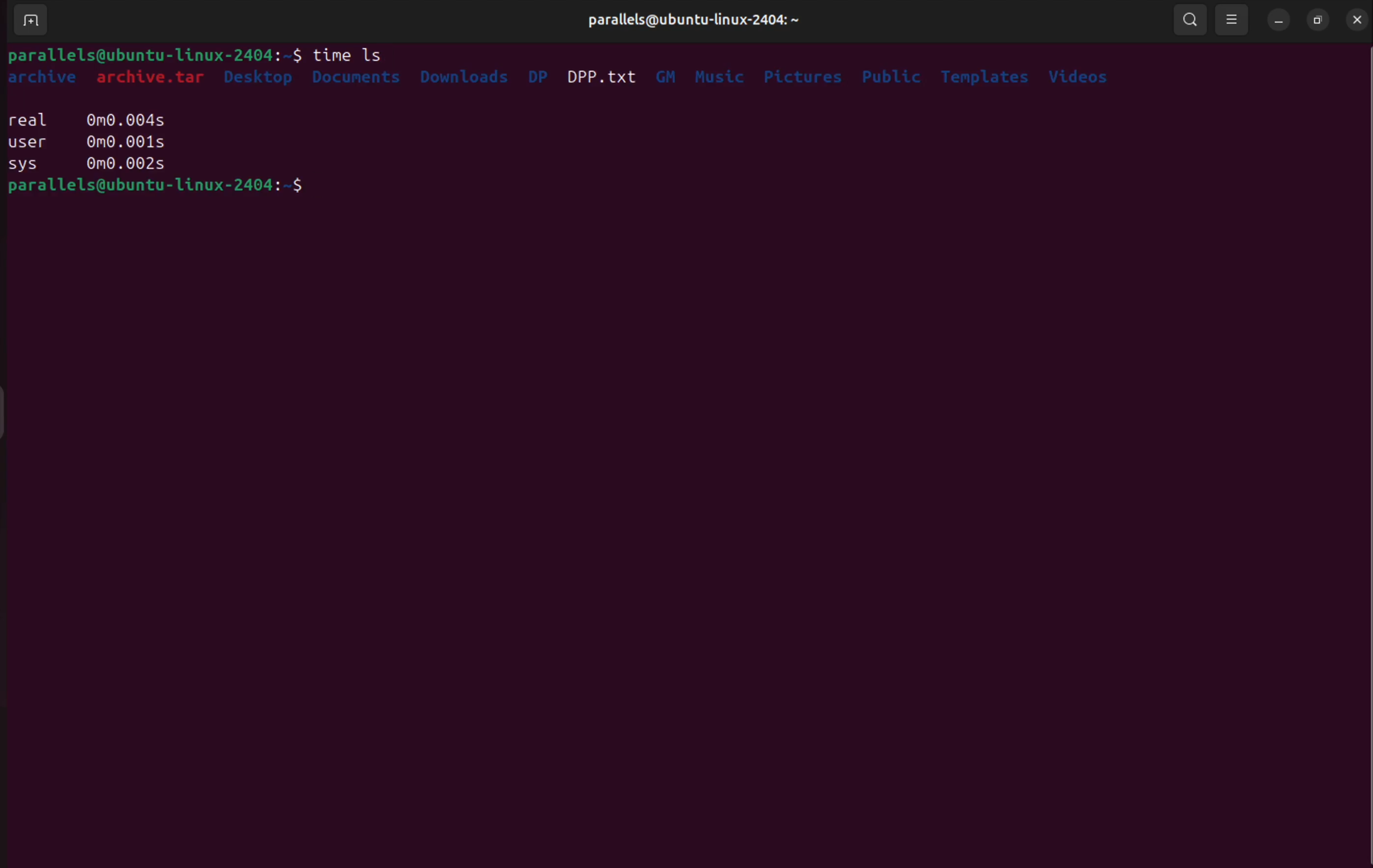 This screenshot has width=1373, height=868. I want to click on minimize, so click(1277, 21).